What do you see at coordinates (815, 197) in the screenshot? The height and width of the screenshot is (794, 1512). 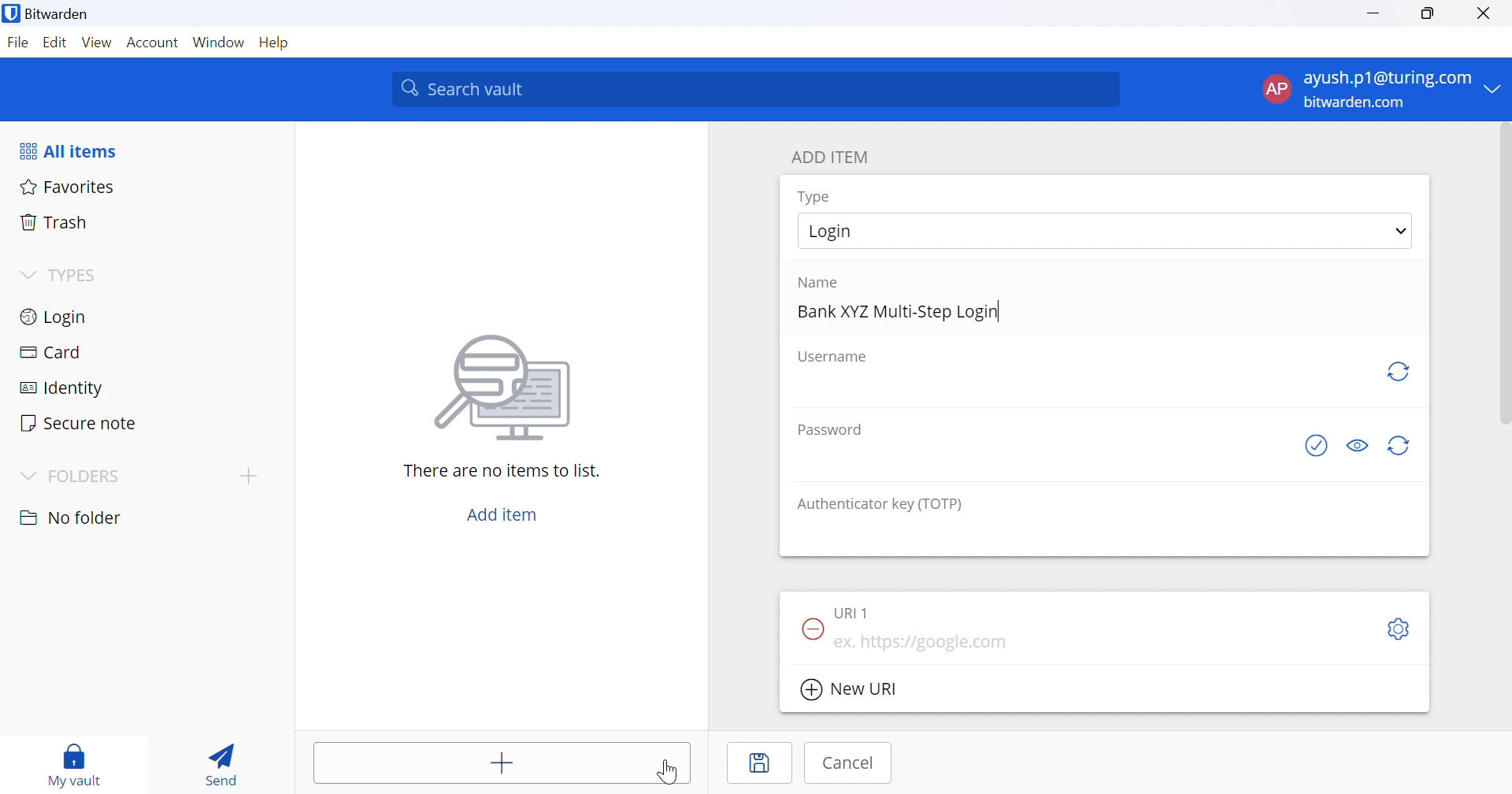 I see `Type` at bounding box center [815, 197].